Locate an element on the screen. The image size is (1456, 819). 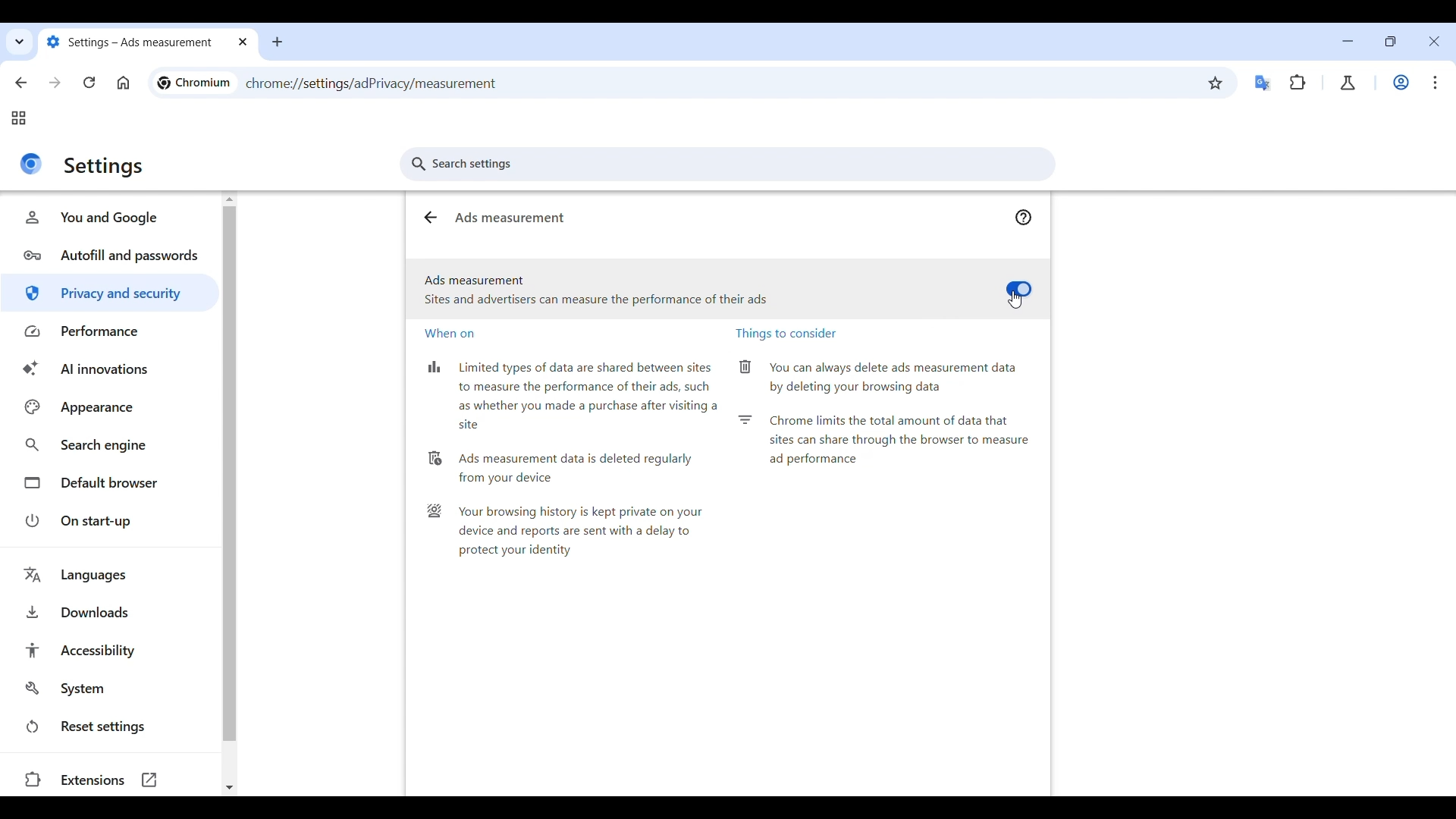
Logo of current site is located at coordinates (31, 164).